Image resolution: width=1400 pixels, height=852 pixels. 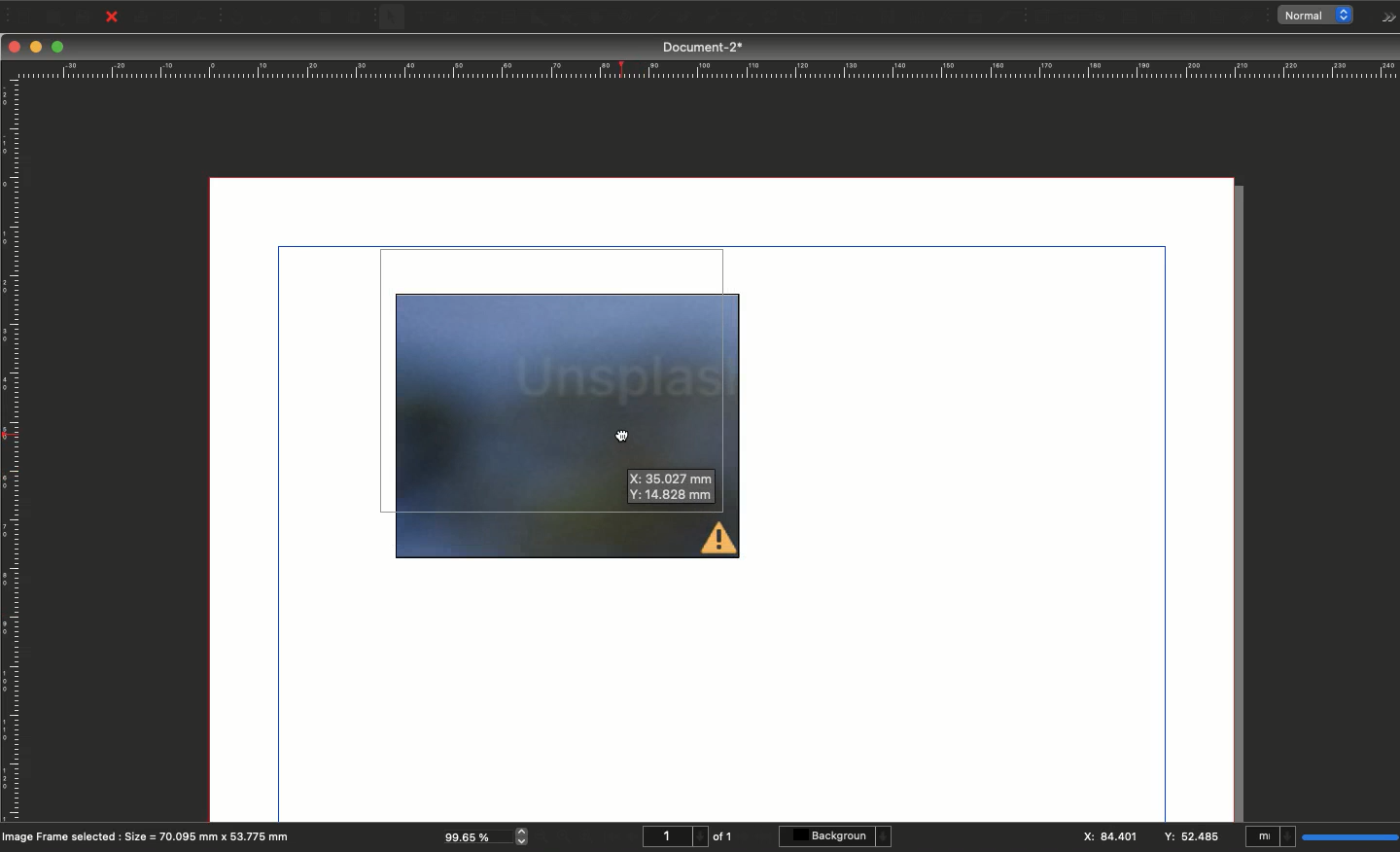 What do you see at coordinates (202, 17) in the screenshot?
I see `Save as PDF` at bounding box center [202, 17].